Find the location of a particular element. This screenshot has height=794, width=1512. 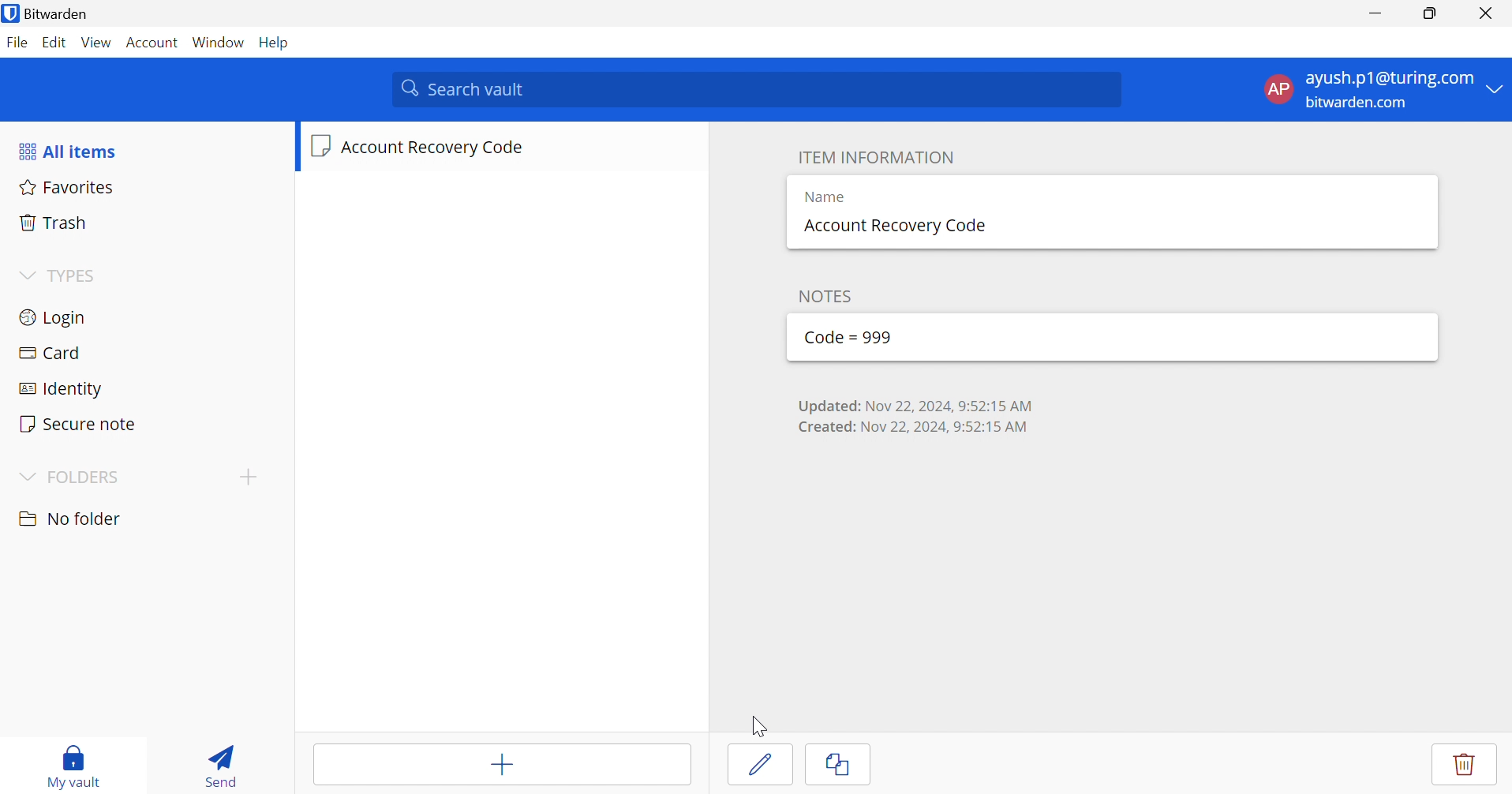

ITEM INFORMATION is located at coordinates (878, 158).